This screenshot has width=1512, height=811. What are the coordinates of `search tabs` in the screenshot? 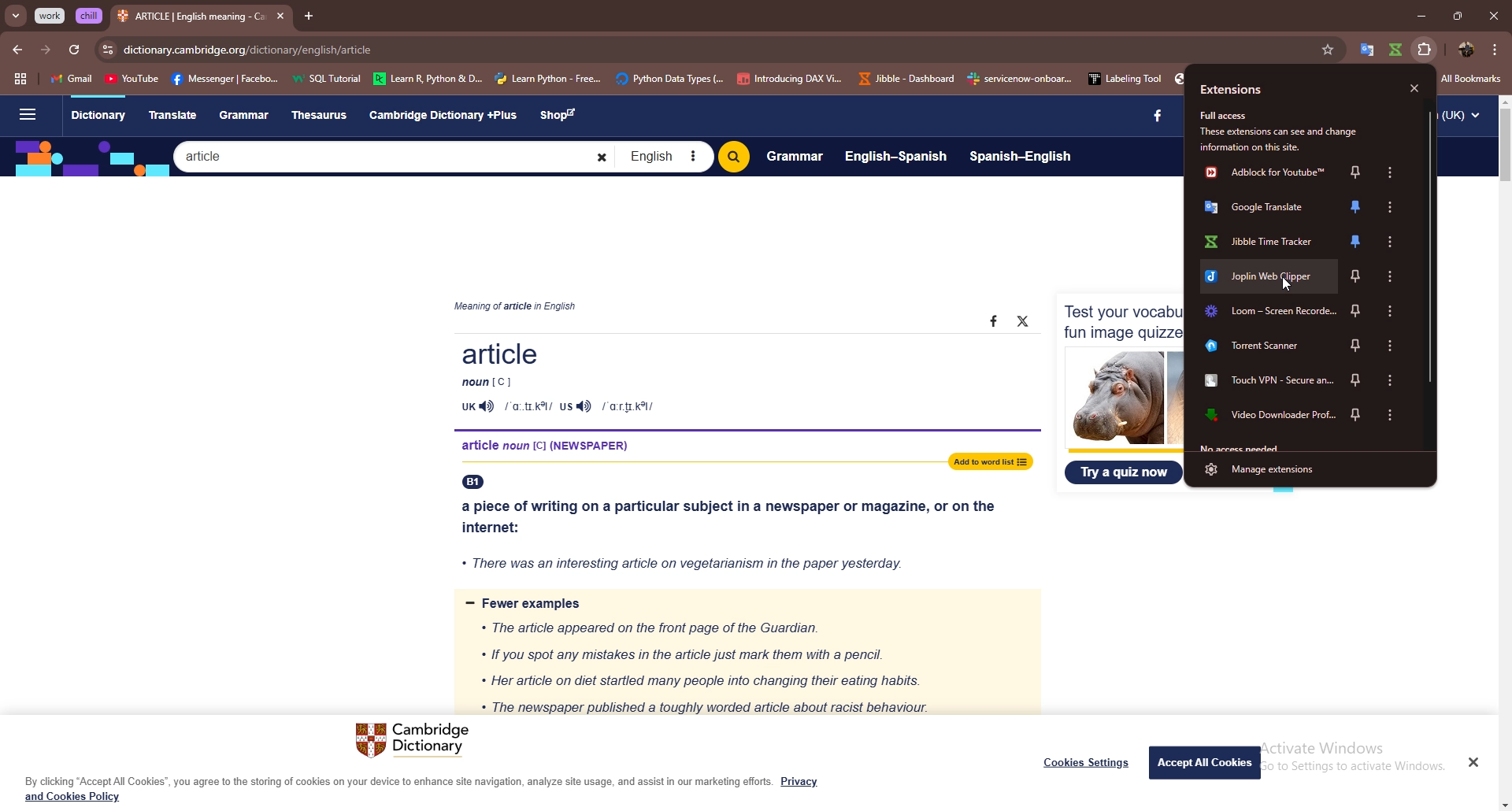 It's located at (17, 17).